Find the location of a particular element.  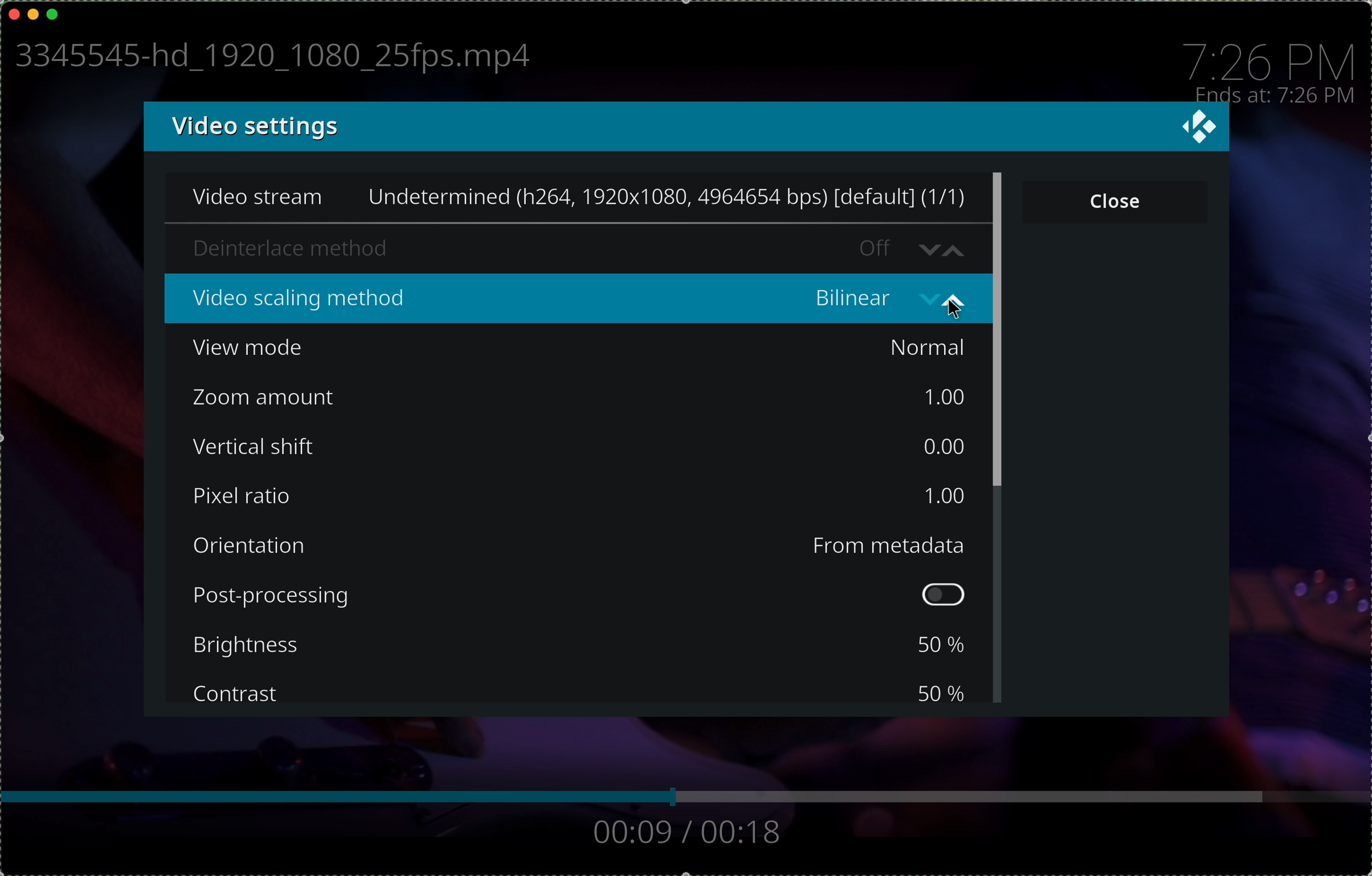

vertical shift is located at coordinates (256, 448).